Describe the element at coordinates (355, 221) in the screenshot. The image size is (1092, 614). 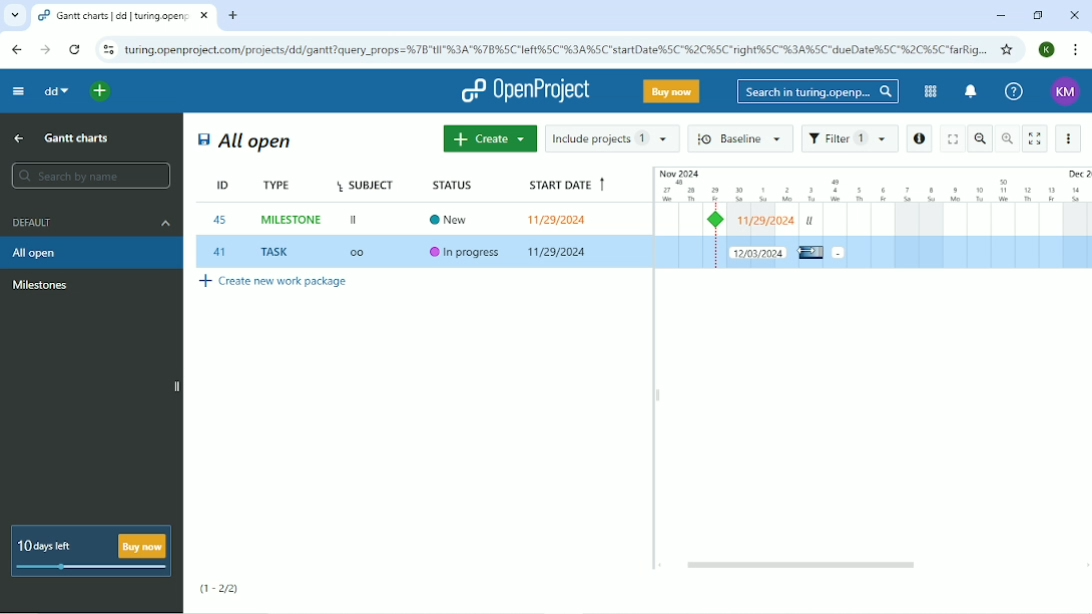
I see `II` at that location.